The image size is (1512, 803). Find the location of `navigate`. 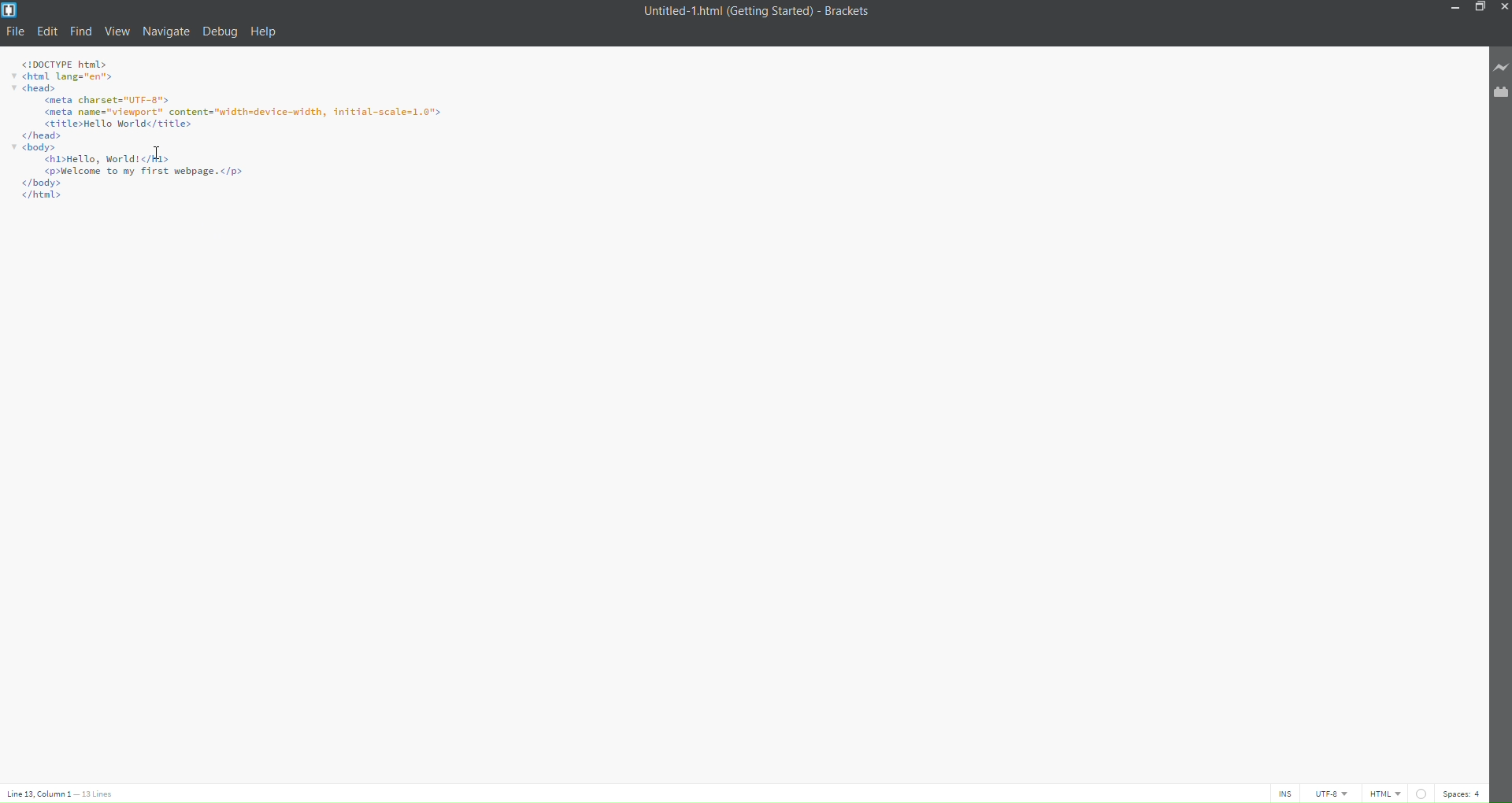

navigate is located at coordinates (166, 29).